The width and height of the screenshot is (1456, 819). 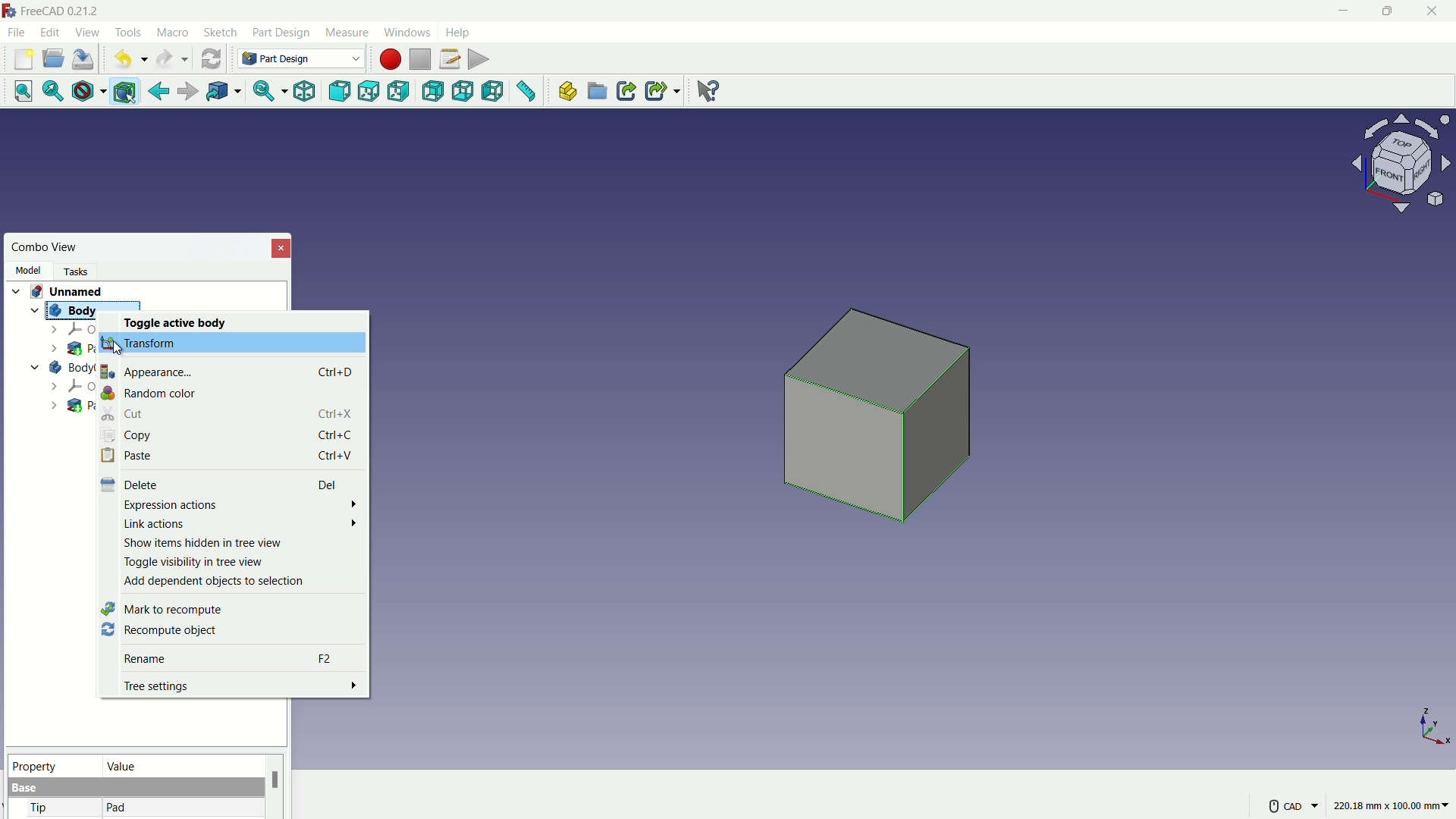 What do you see at coordinates (85, 60) in the screenshot?
I see `save file` at bounding box center [85, 60].